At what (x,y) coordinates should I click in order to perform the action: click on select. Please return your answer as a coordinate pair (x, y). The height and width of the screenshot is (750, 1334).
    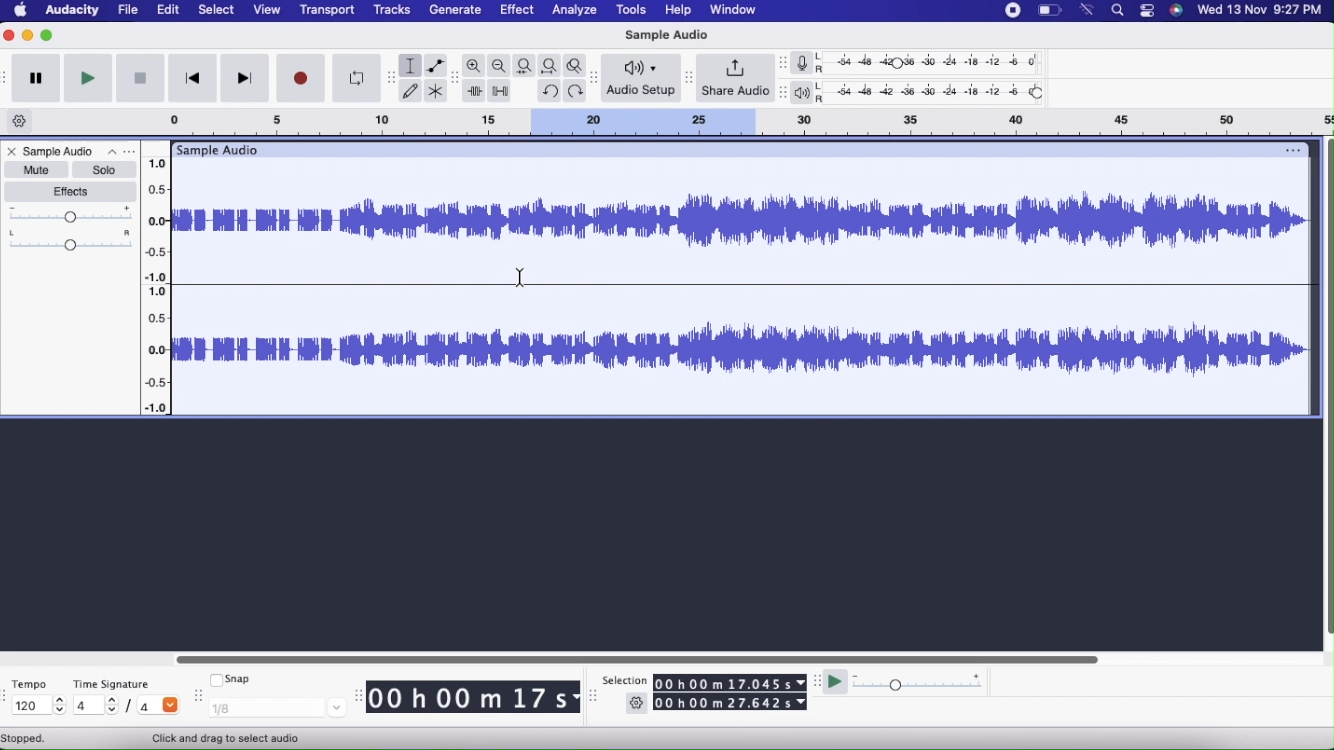
    Looking at the image, I should click on (216, 10).